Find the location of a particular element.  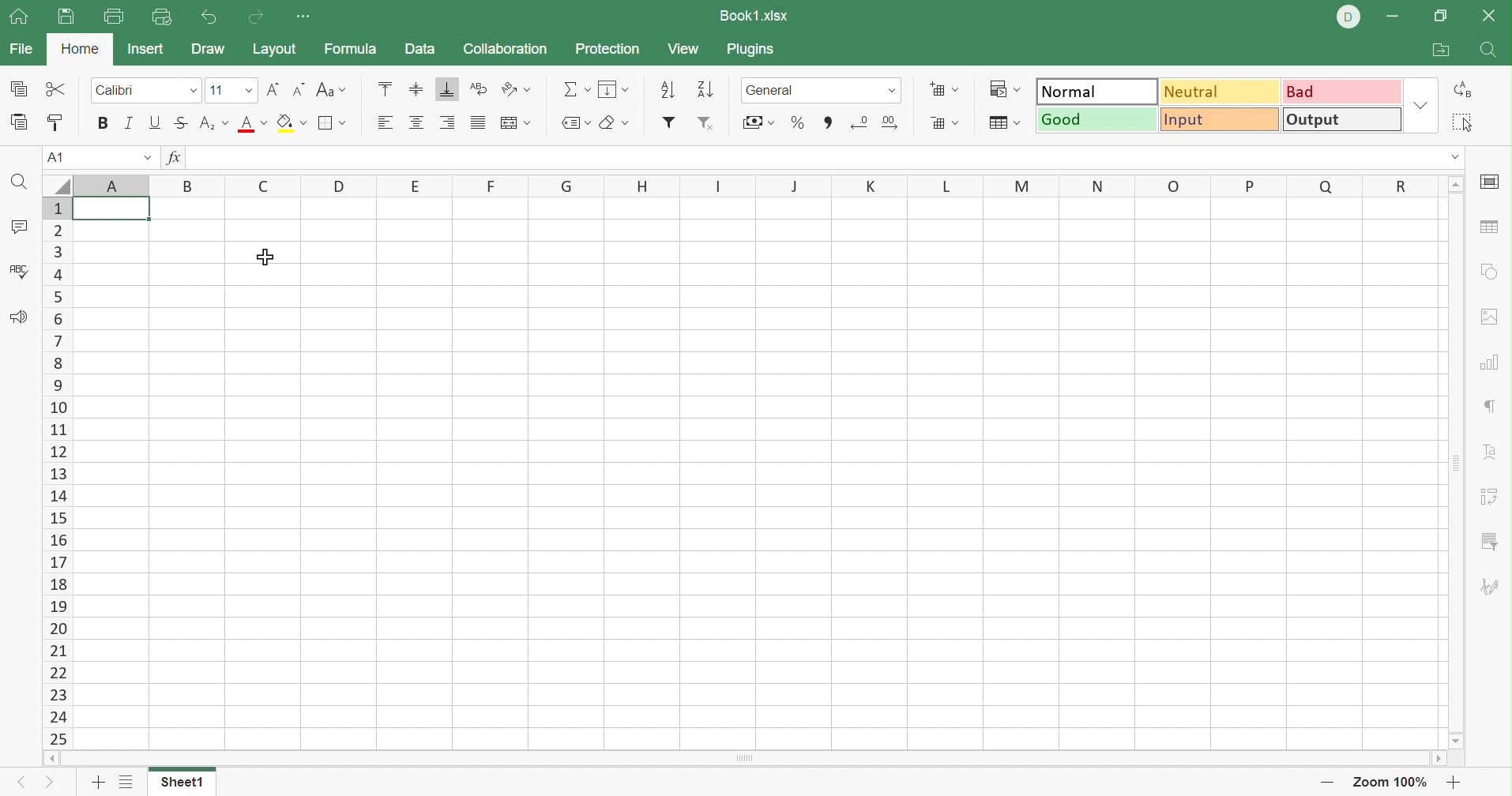

Replace is located at coordinates (1465, 87).